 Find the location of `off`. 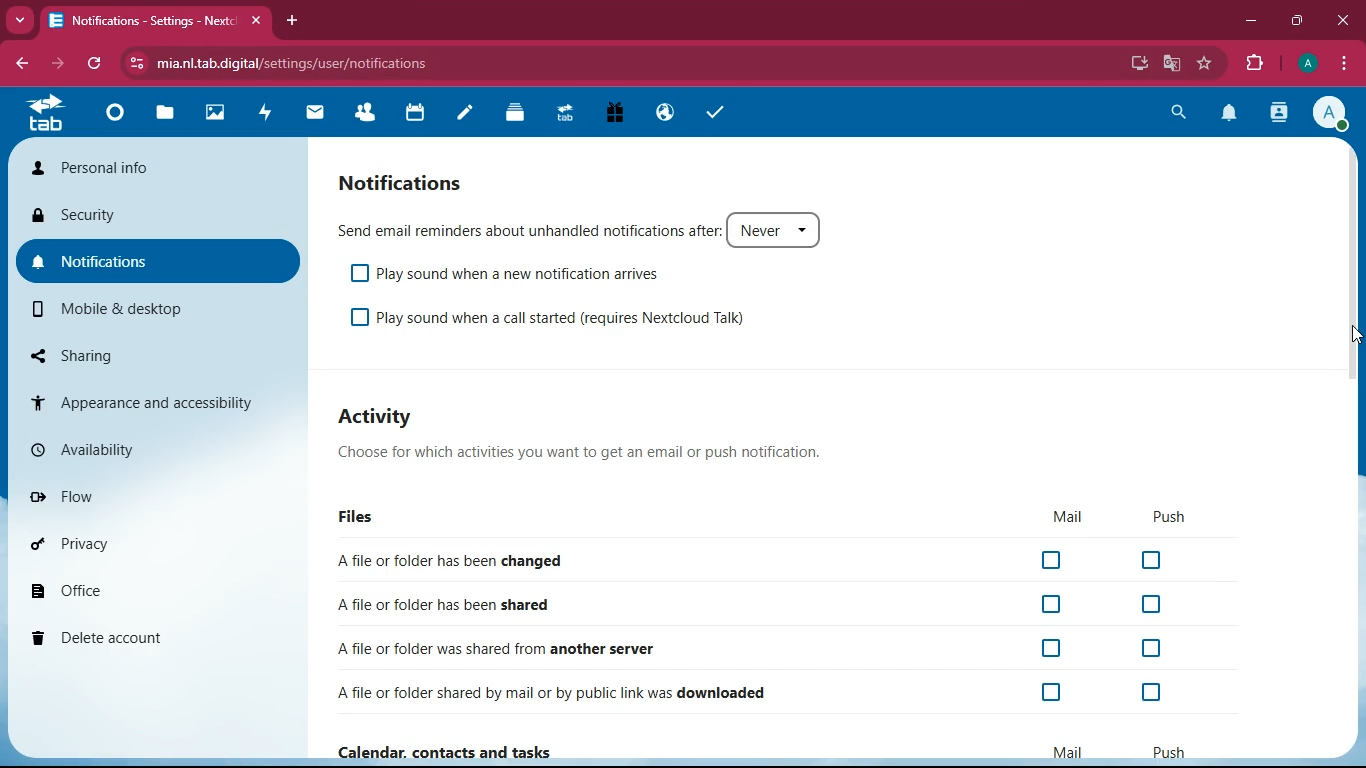

off is located at coordinates (1155, 561).